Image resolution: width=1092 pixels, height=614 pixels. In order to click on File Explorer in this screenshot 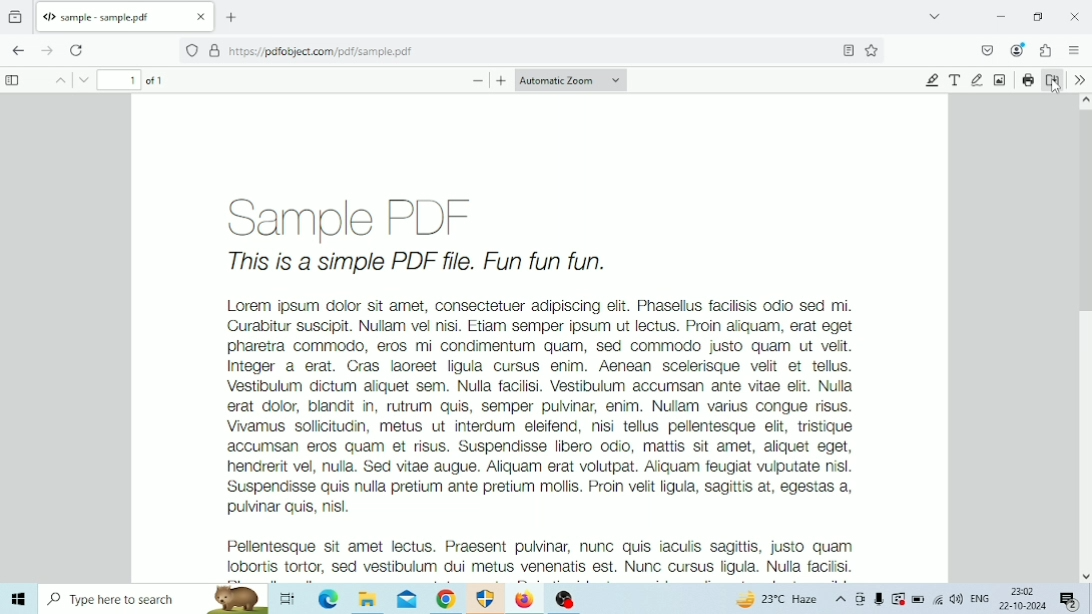, I will do `click(368, 598)`.